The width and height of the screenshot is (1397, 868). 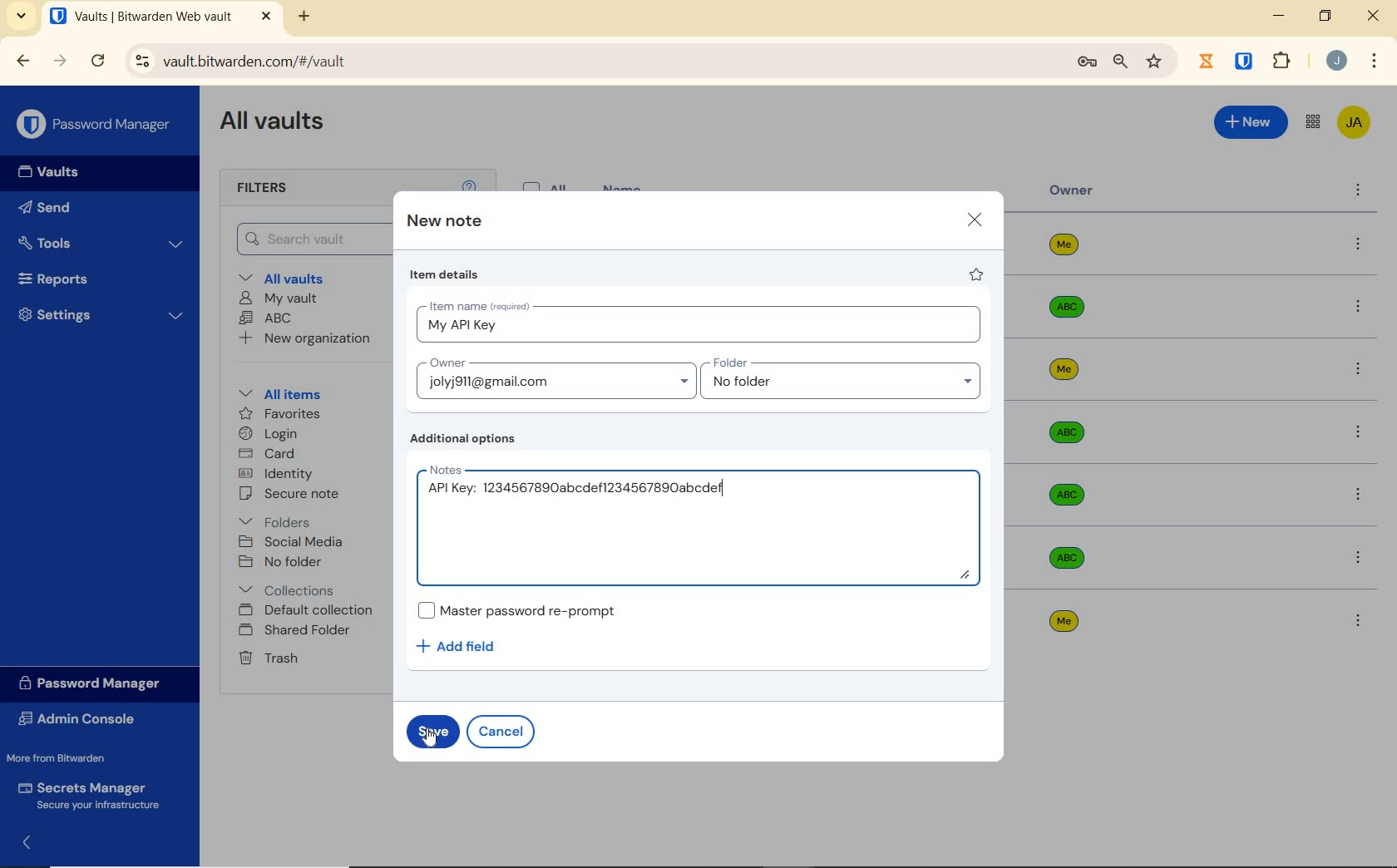 I want to click on Trash, so click(x=271, y=659).